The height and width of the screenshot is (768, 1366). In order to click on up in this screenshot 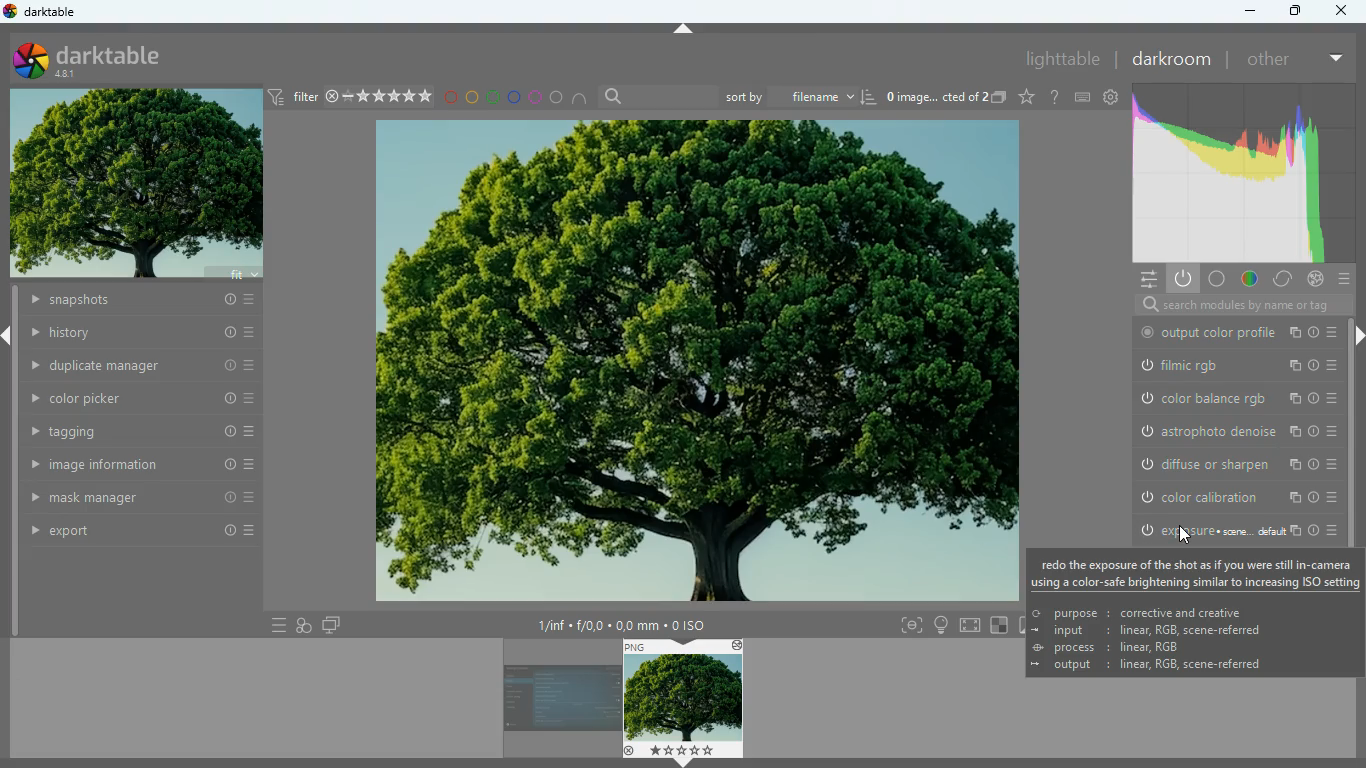, I will do `click(684, 27)`.